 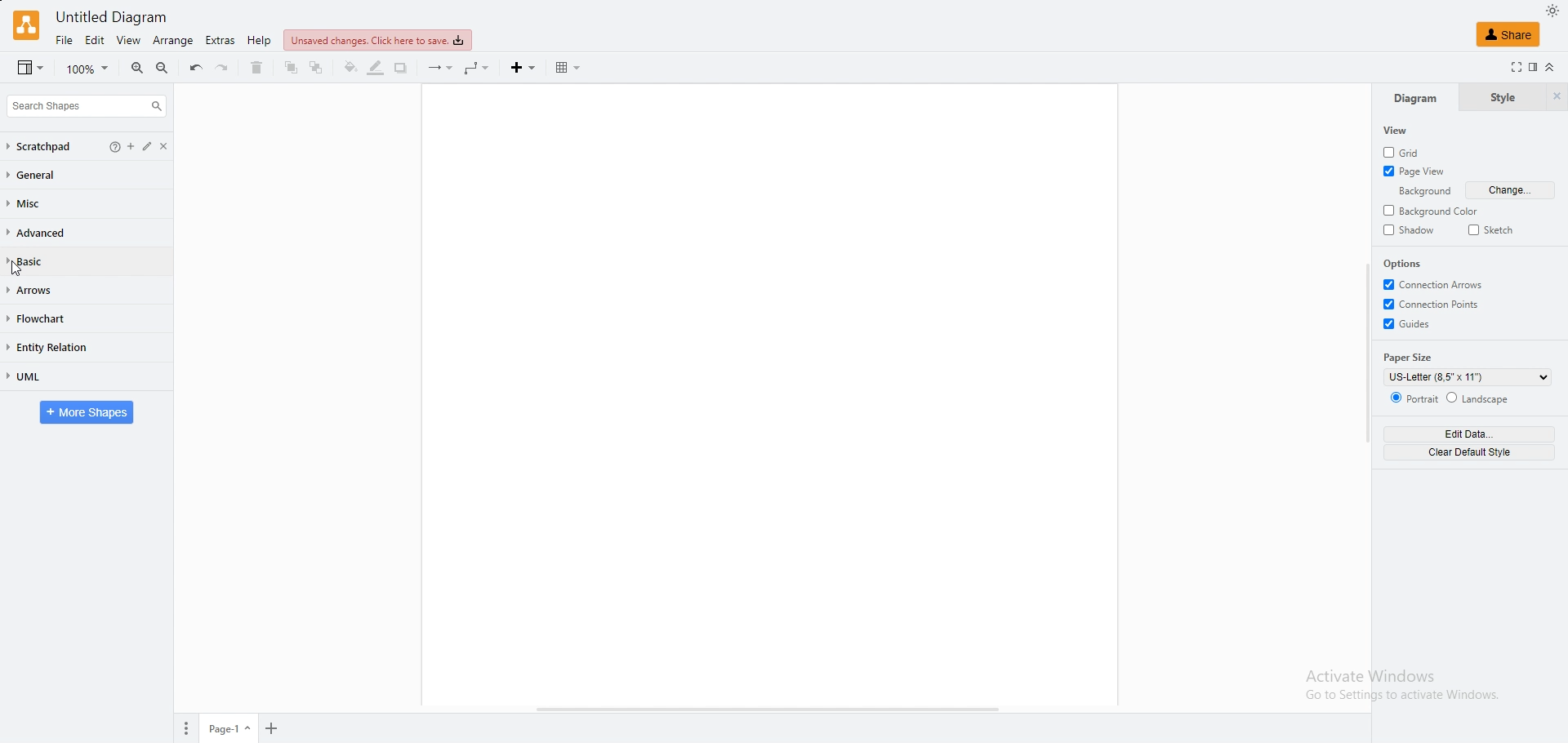 I want to click on hide, so click(x=1556, y=98).